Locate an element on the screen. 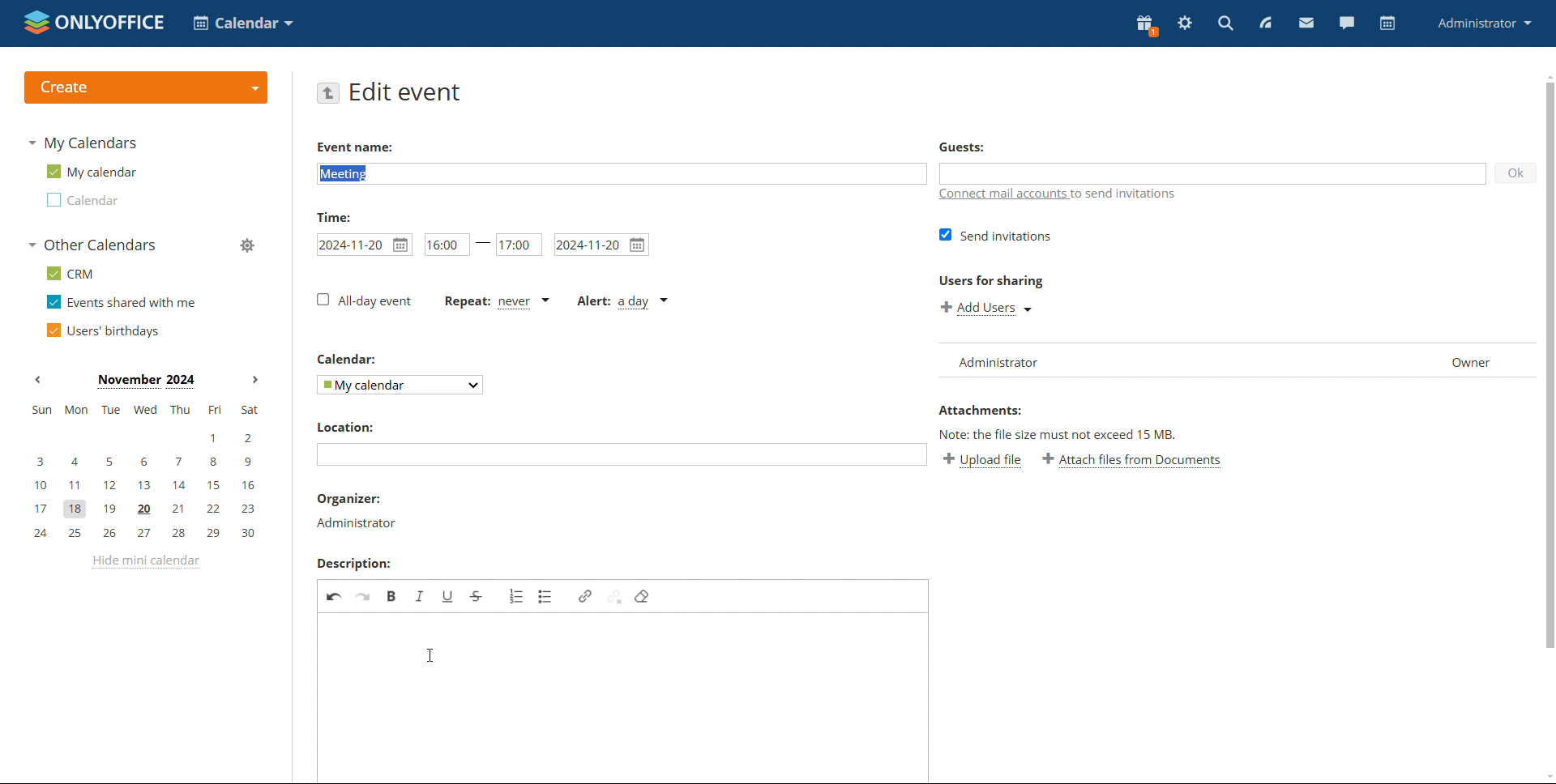  calendar is located at coordinates (1389, 23).